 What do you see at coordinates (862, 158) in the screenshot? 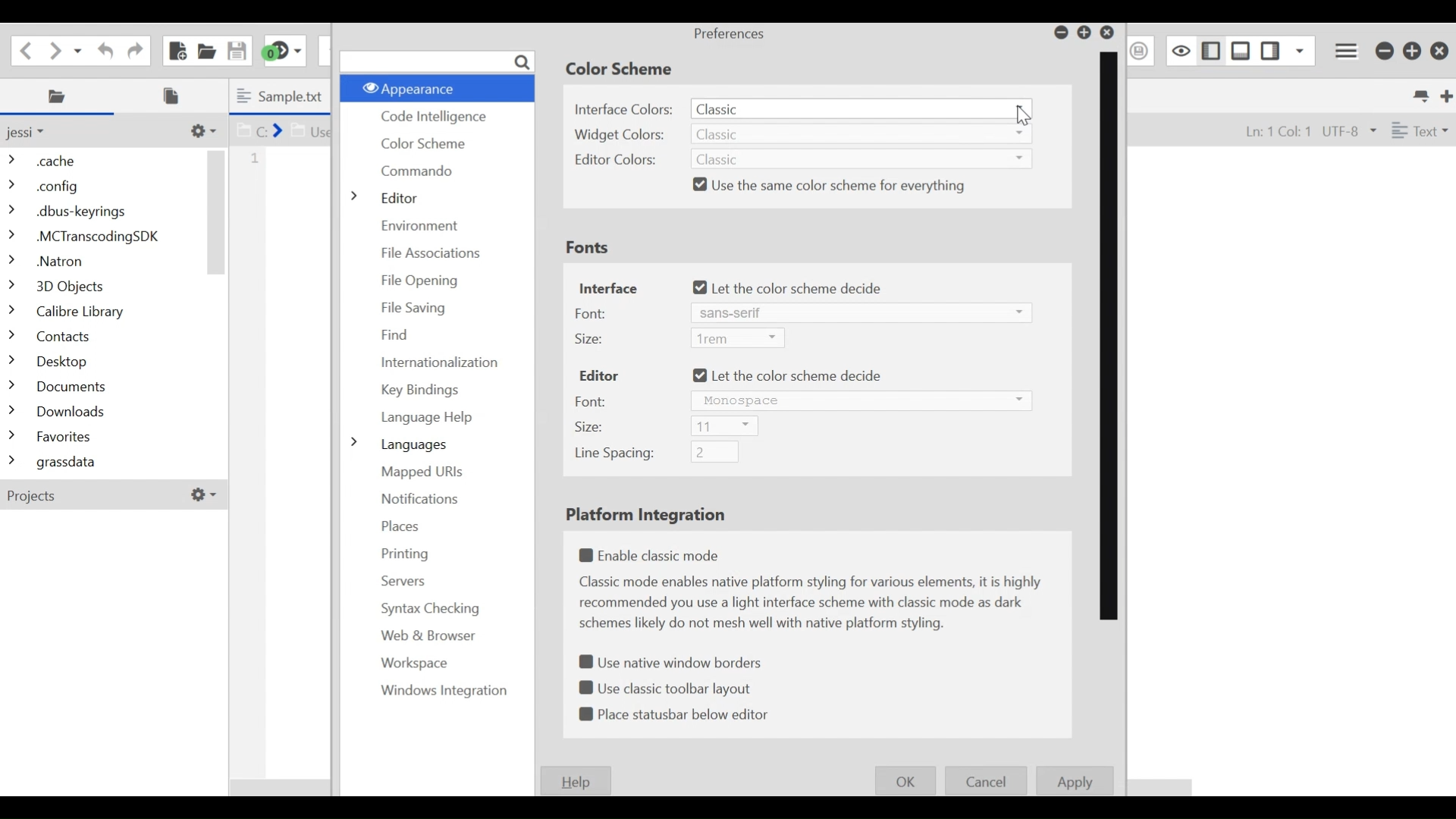
I see `Editor Colors dropdown menu` at bounding box center [862, 158].